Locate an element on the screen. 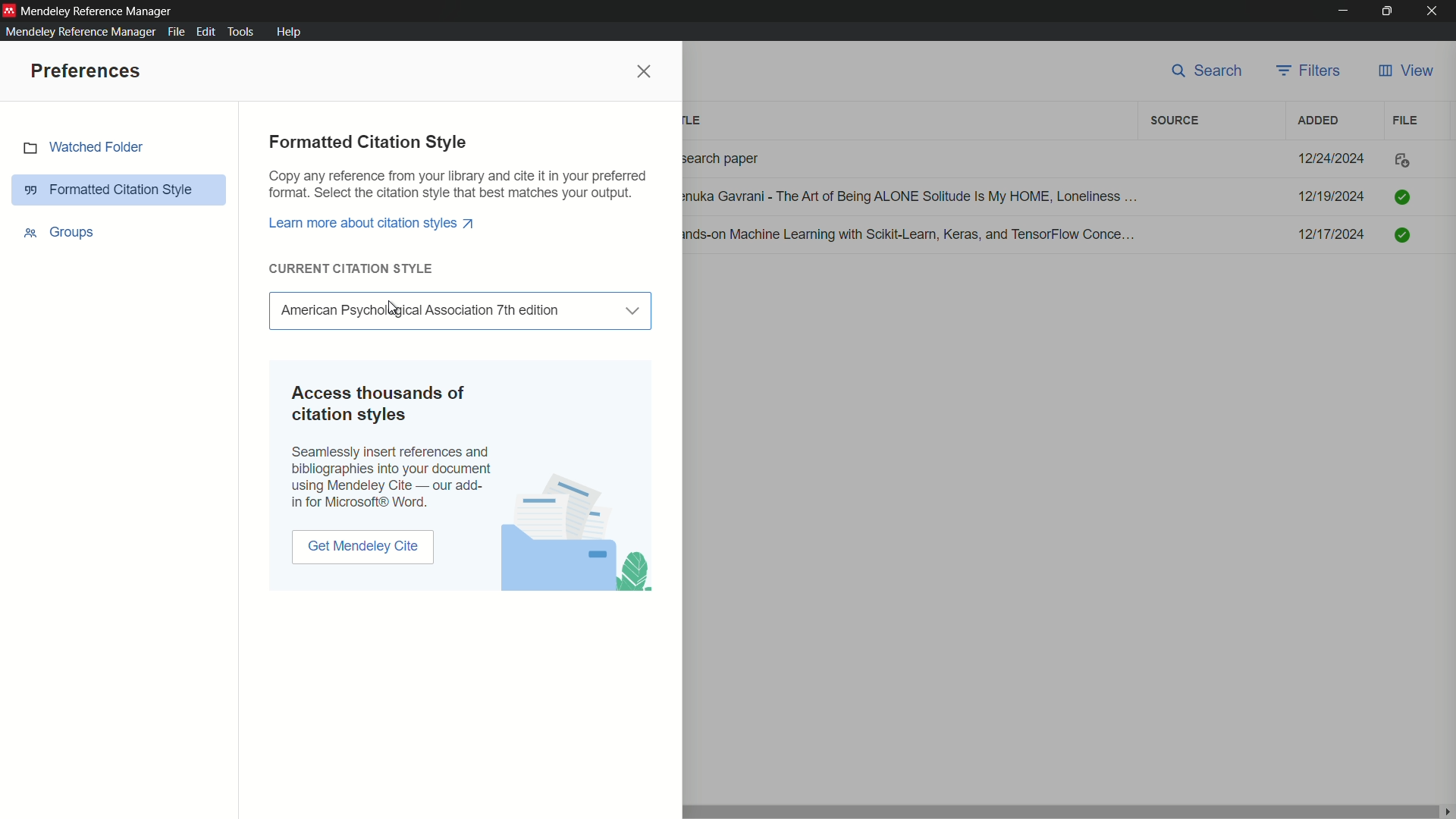  watch folder is located at coordinates (121, 148).